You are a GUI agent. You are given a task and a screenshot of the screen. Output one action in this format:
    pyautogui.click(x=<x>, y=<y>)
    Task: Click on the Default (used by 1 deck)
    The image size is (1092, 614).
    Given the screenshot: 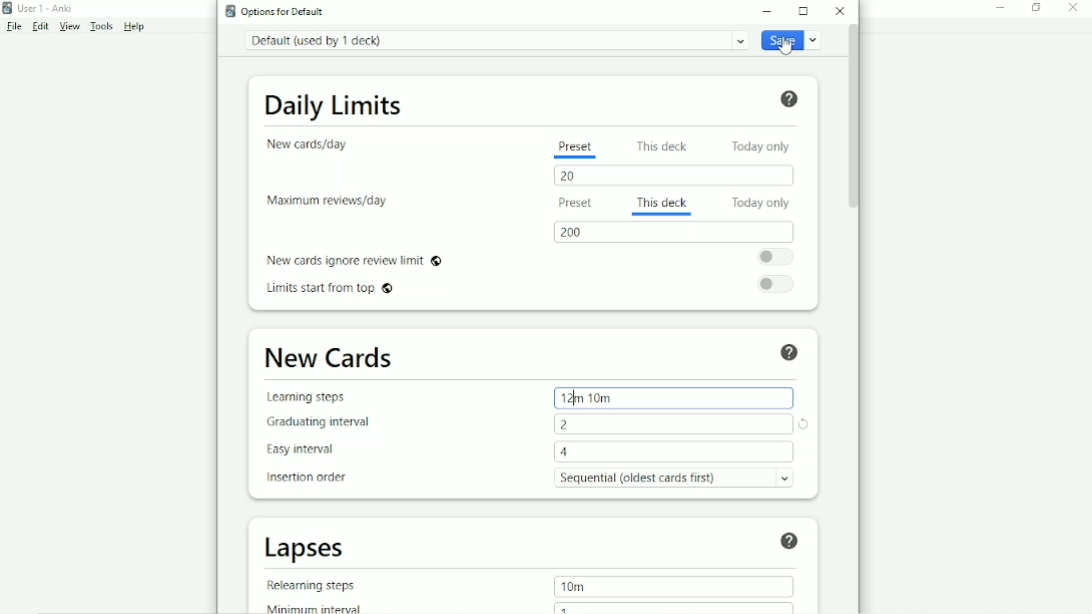 What is the action you would take?
    pyautogui.click(x=493, y=42)
    